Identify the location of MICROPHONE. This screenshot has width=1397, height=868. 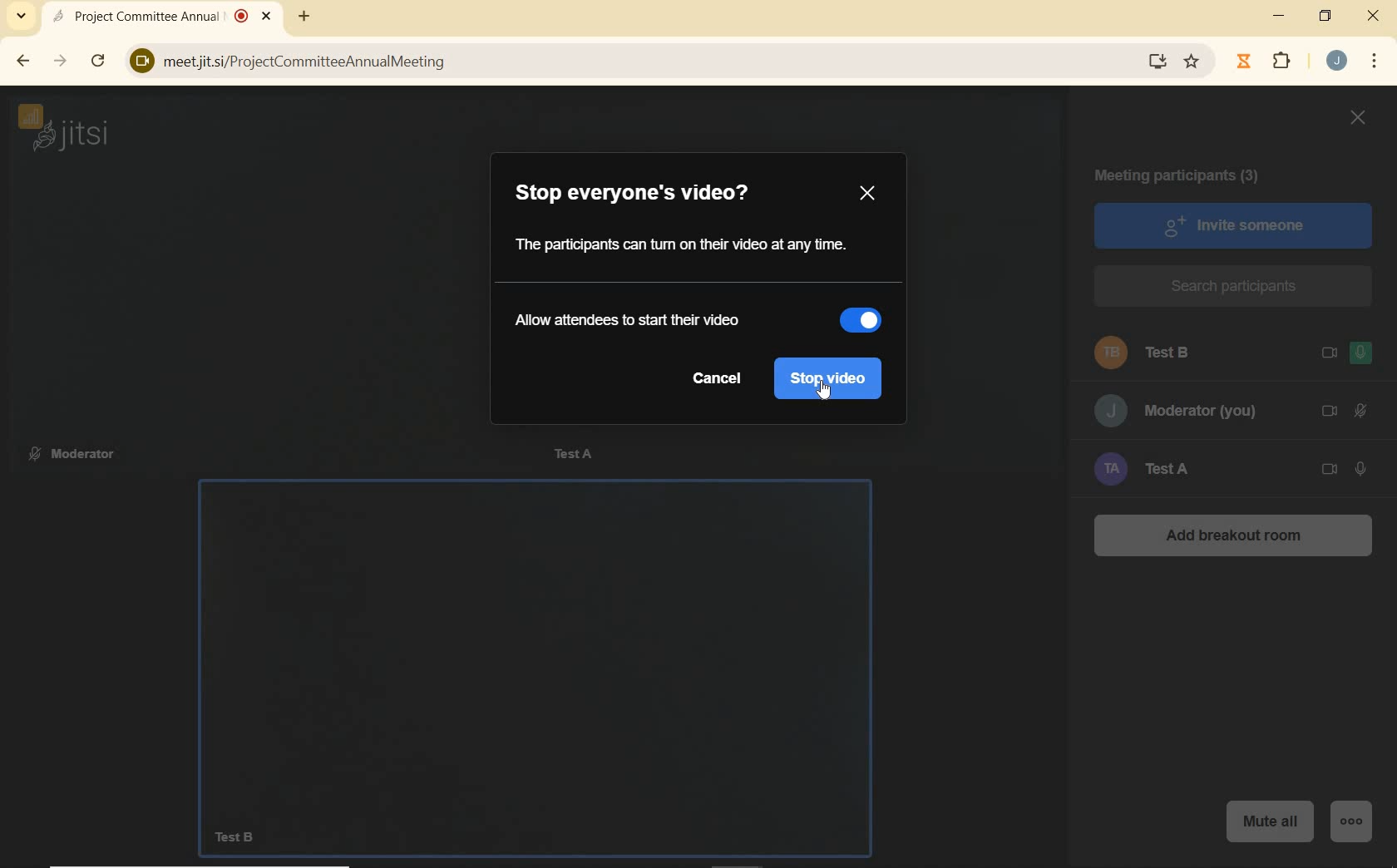
(1362, 470).